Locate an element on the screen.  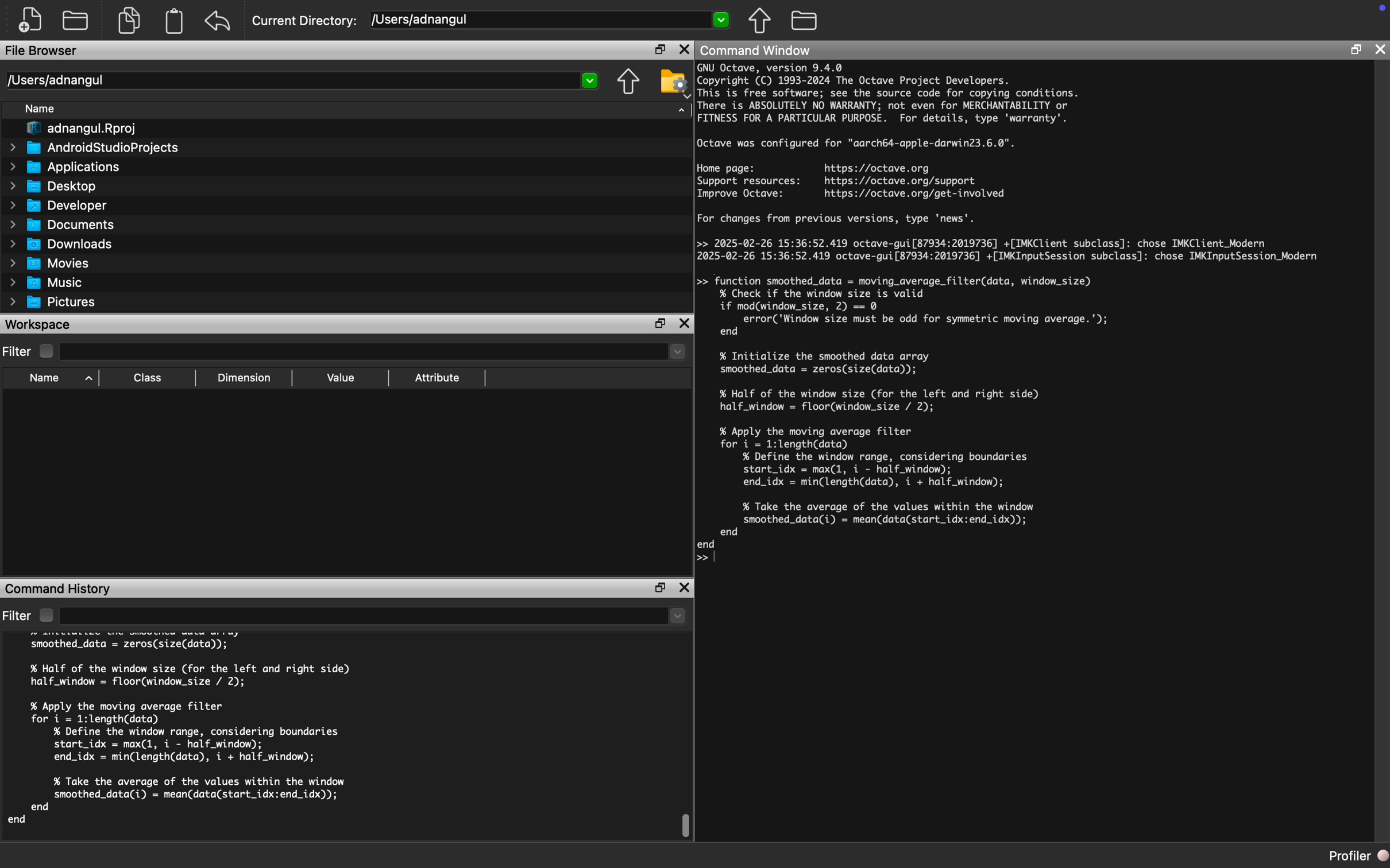
adnangul.Rproj is located at coordinates (82, 129).